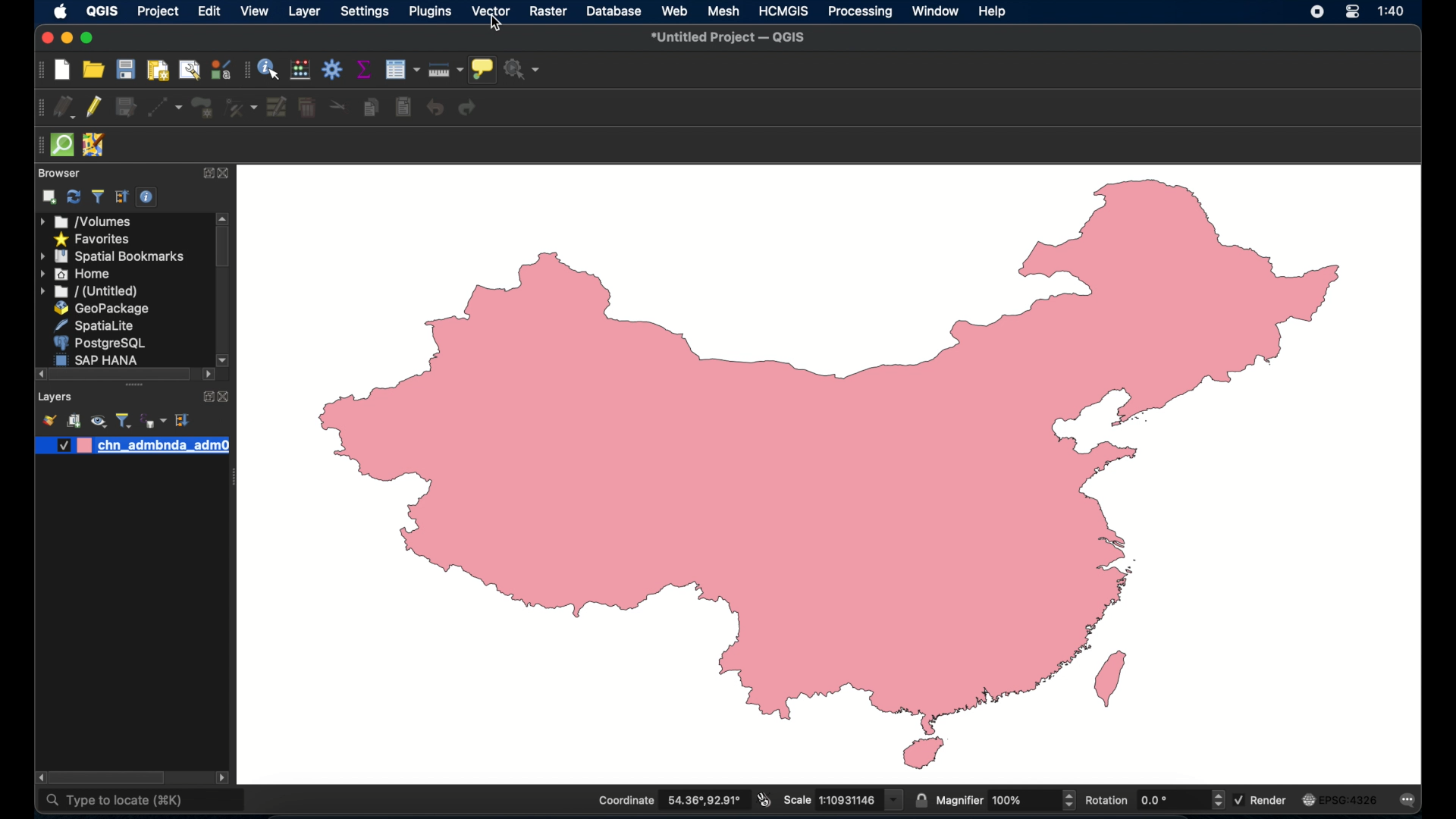  I want to click on render, so click(1262, 800).